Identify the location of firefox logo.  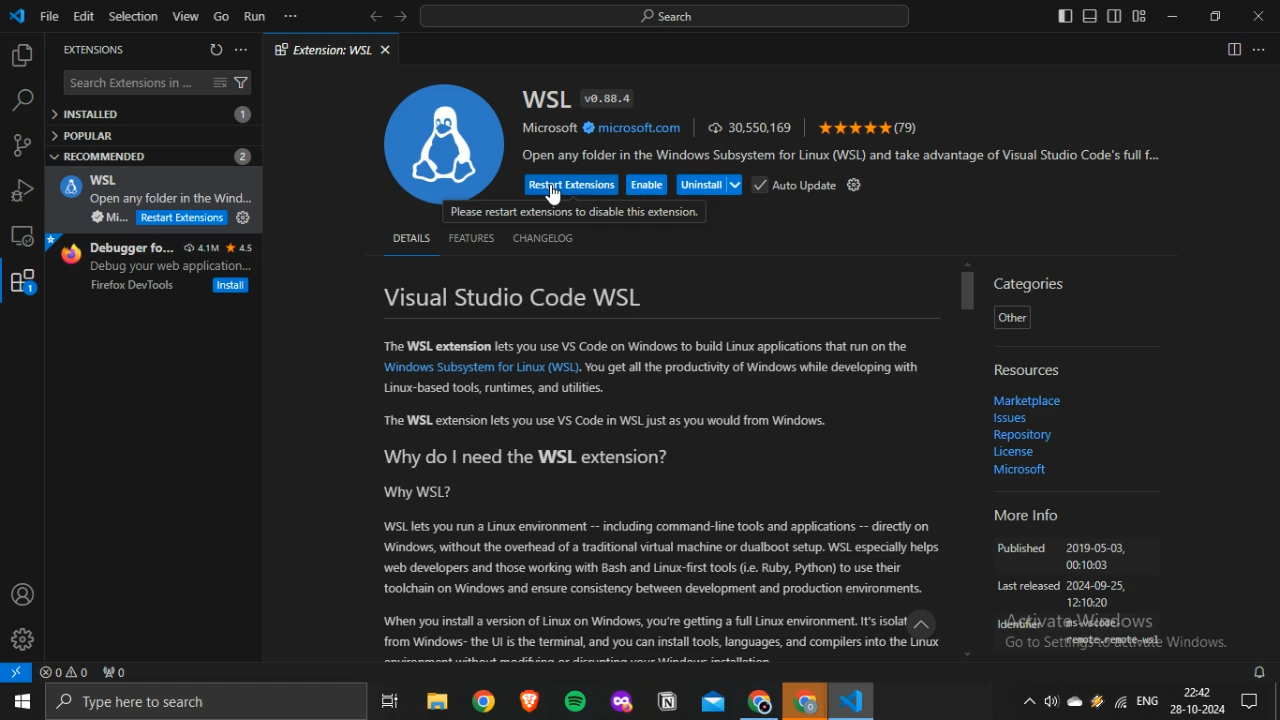
(69, 253).